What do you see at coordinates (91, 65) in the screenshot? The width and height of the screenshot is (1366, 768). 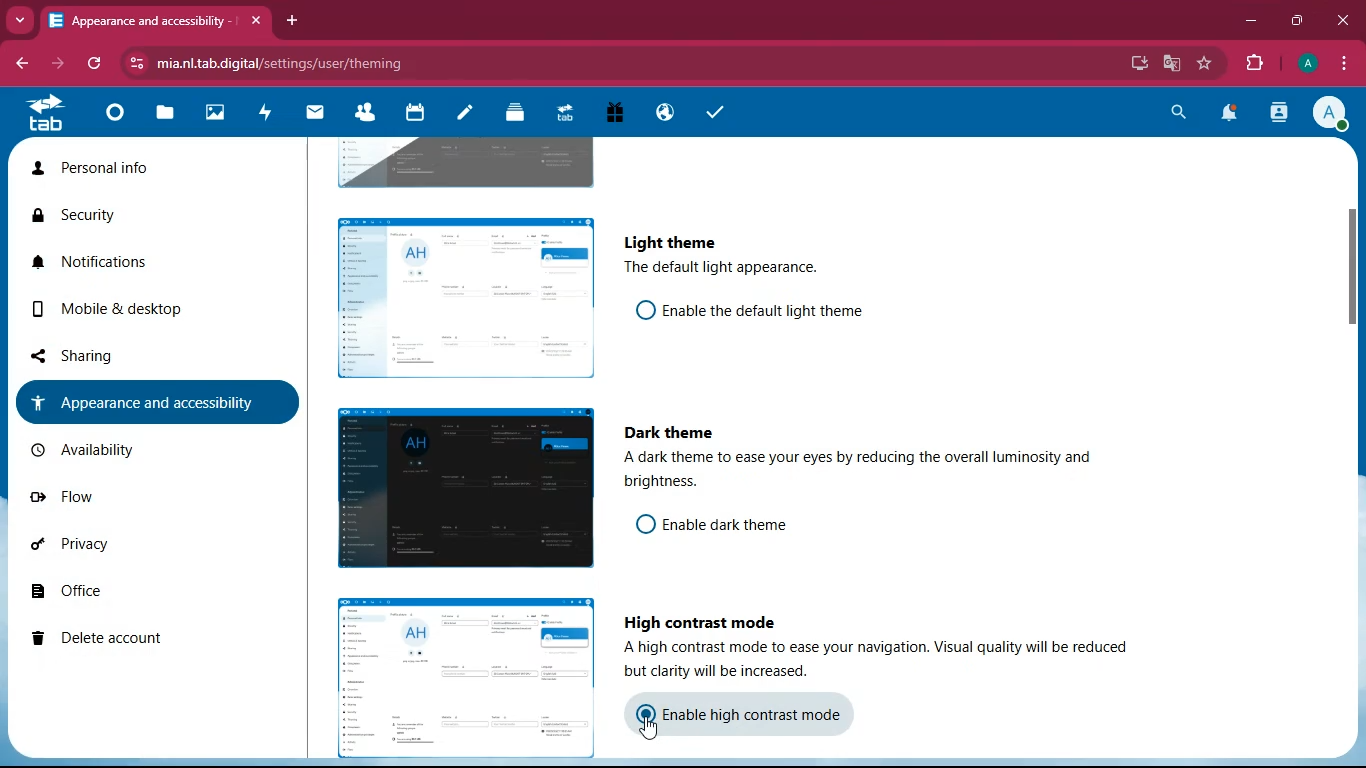 I see `refresh` at bounding box center [91, 65].